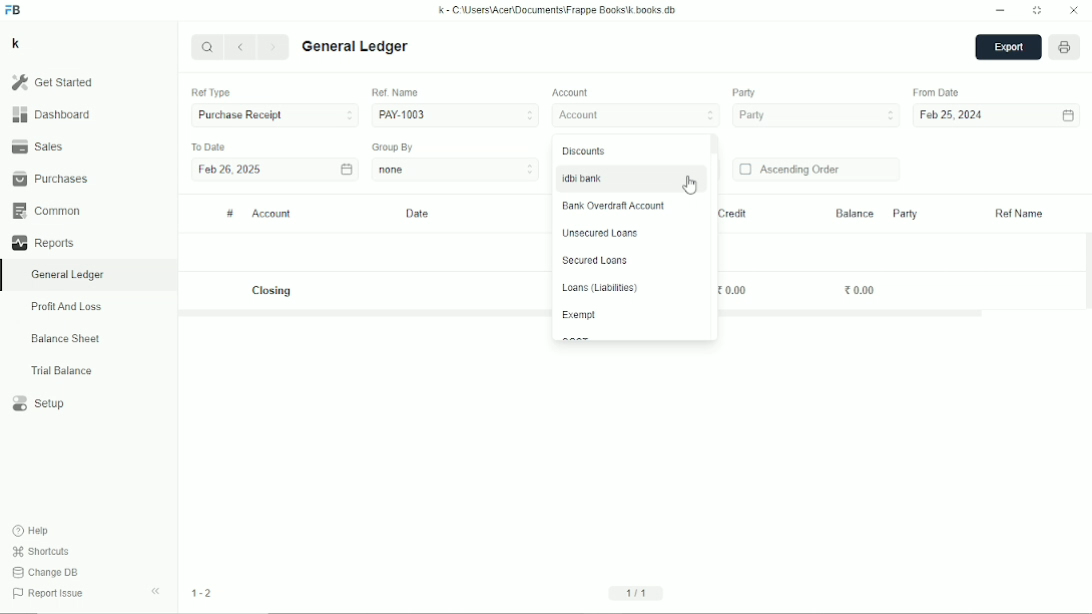 The width and height of the screenshot is (1092, 614). What do you see at coordinates (731, 214) in the screenshot?
I see `Credit` at bounding box center [731, 214].